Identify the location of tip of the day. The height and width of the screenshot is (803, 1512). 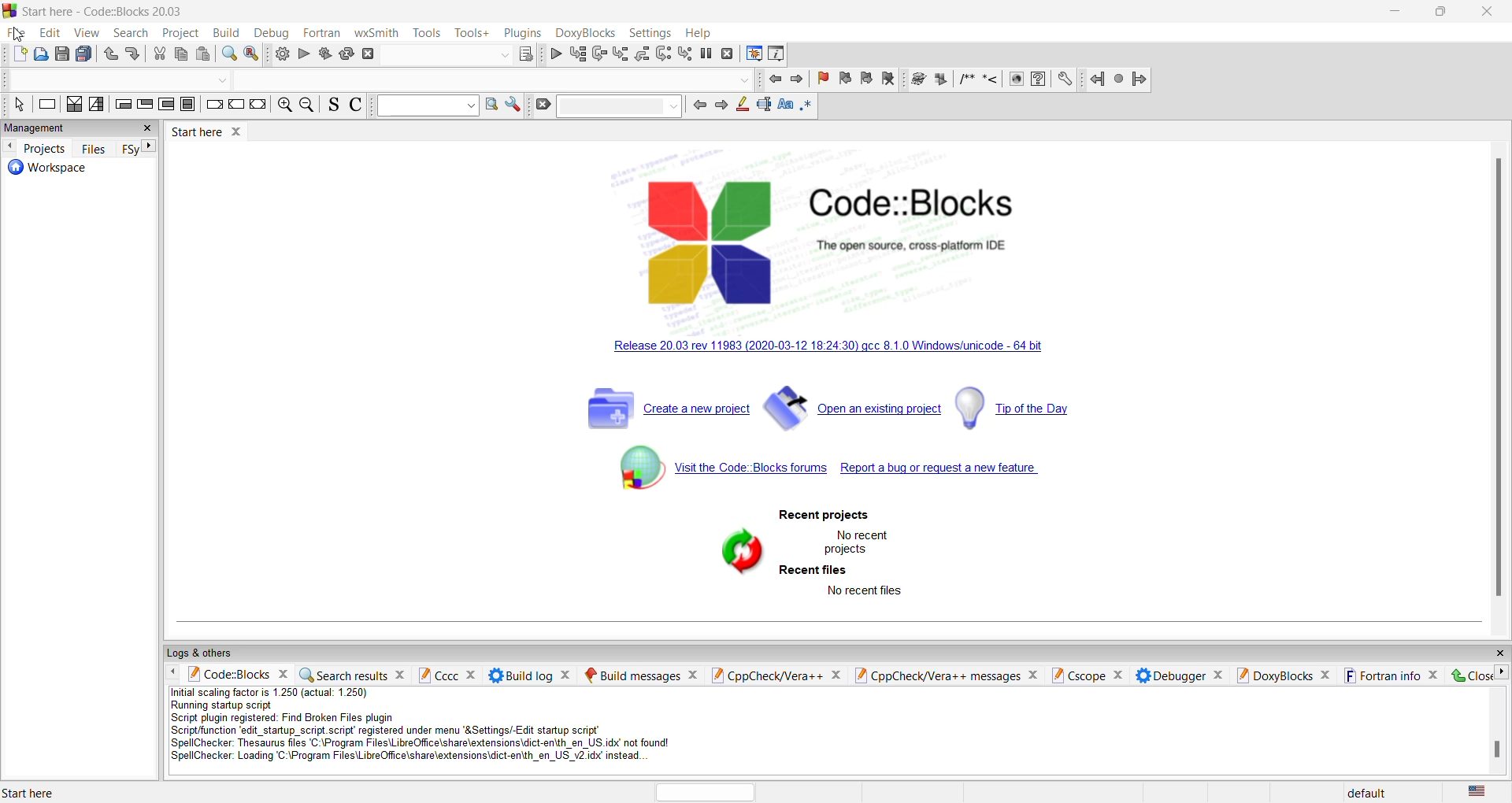
(1014, 404).